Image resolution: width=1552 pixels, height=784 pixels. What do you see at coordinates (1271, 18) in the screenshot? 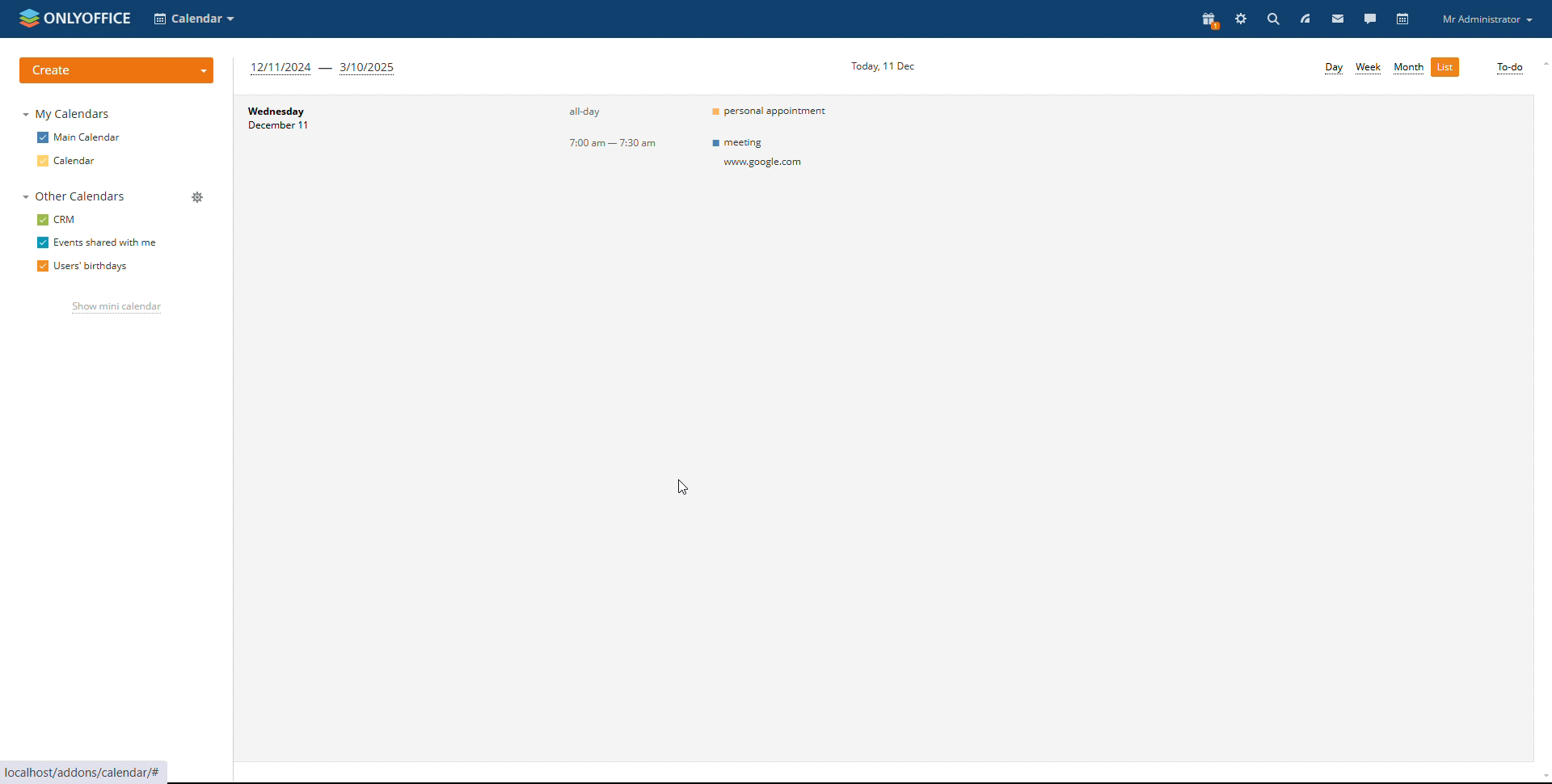
I see `search` at bounding box center [1271, 18].